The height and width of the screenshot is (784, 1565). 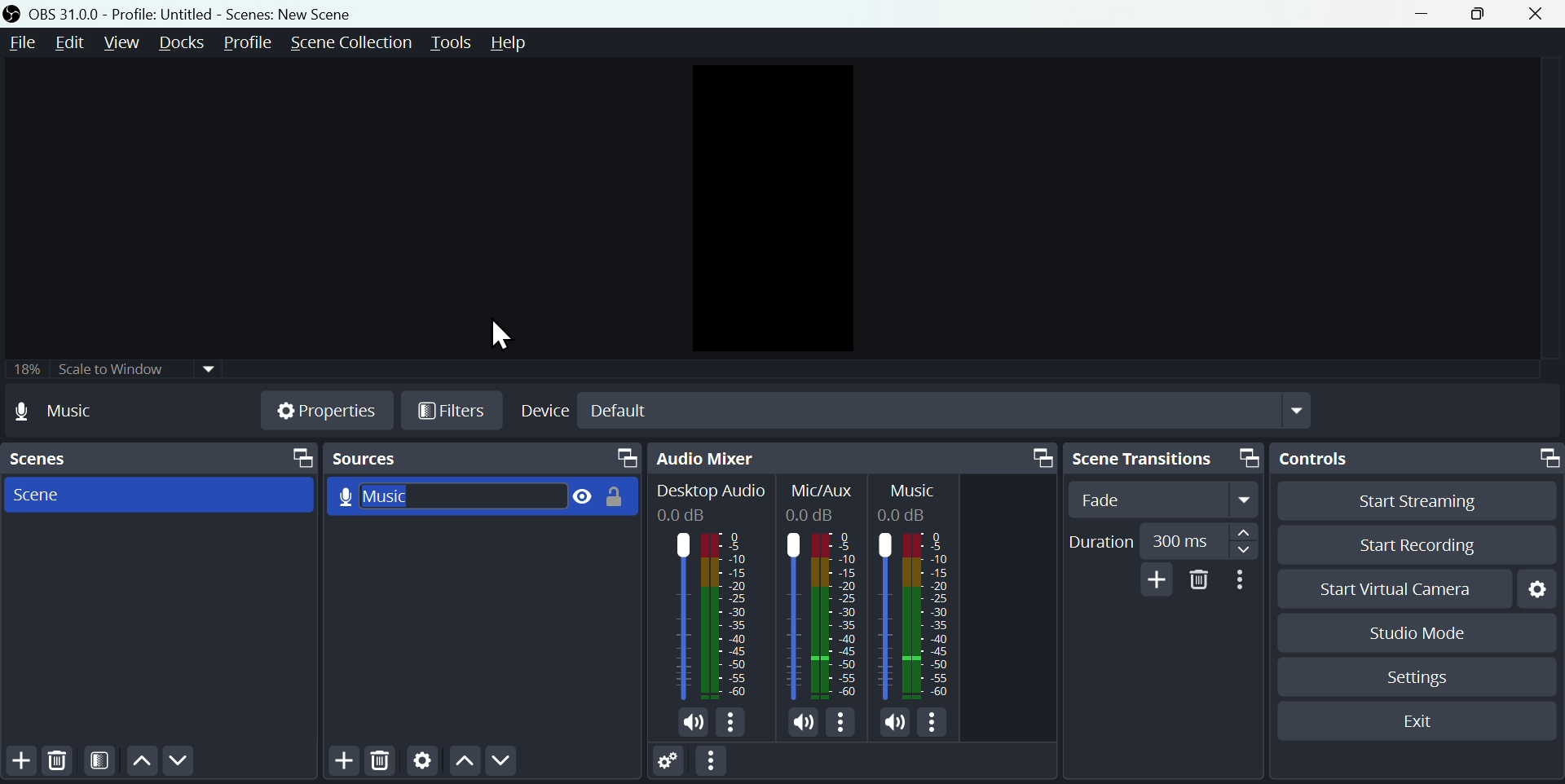 I want to click on Scene transitions, so click(x=1167, y=459).